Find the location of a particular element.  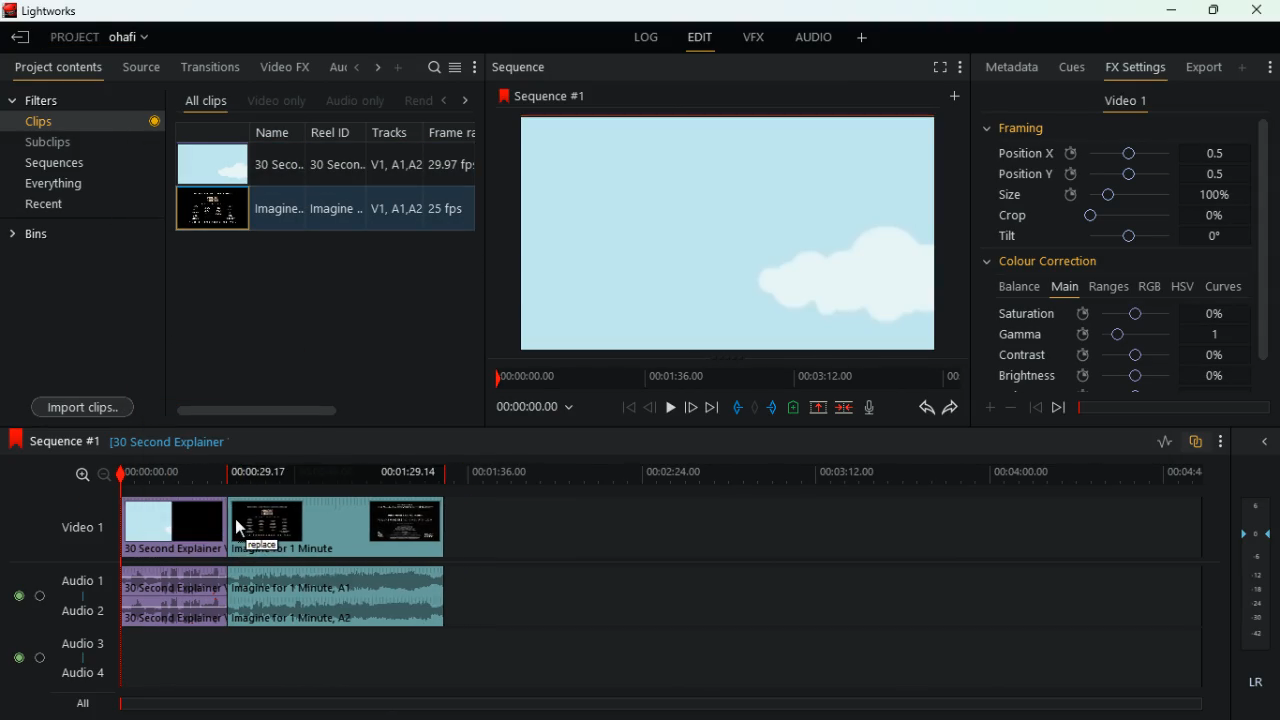

maximize is located at coordinates (1215, 10).